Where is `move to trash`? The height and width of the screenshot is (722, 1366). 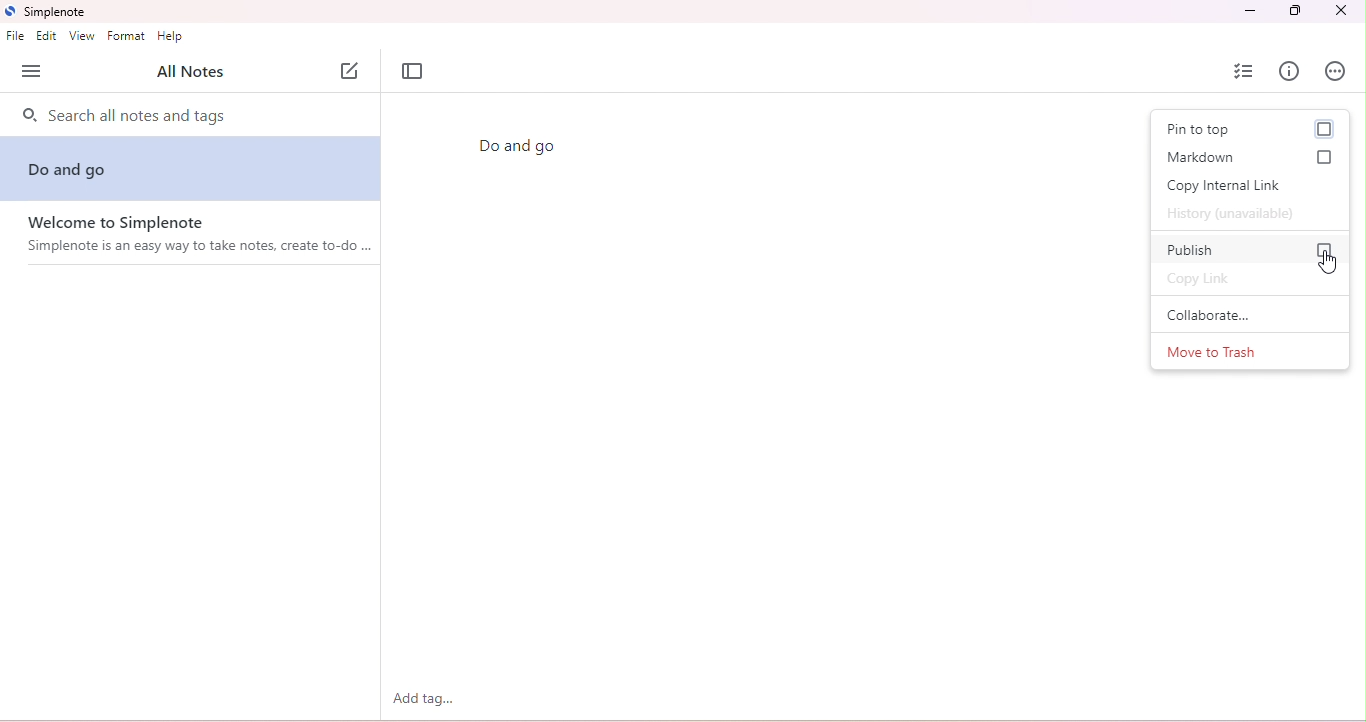 move to trash is located at coordinates (1219, 352).